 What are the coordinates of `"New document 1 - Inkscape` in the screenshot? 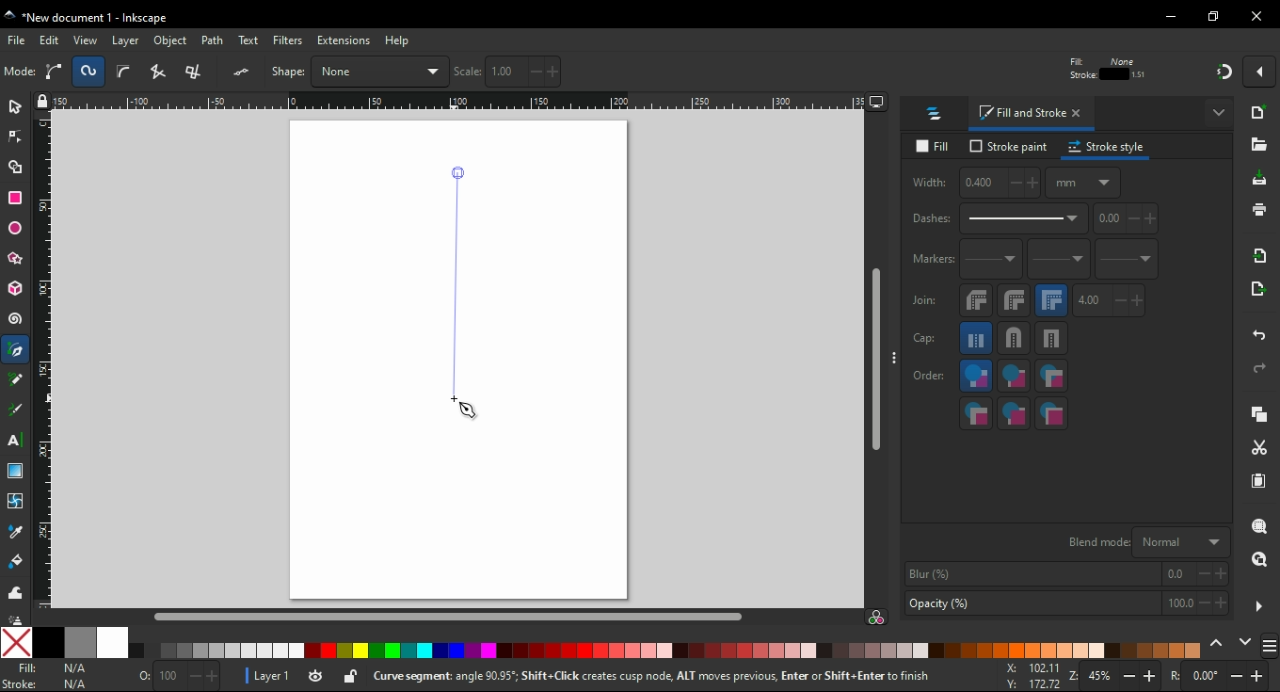 It's located at (88, 19).